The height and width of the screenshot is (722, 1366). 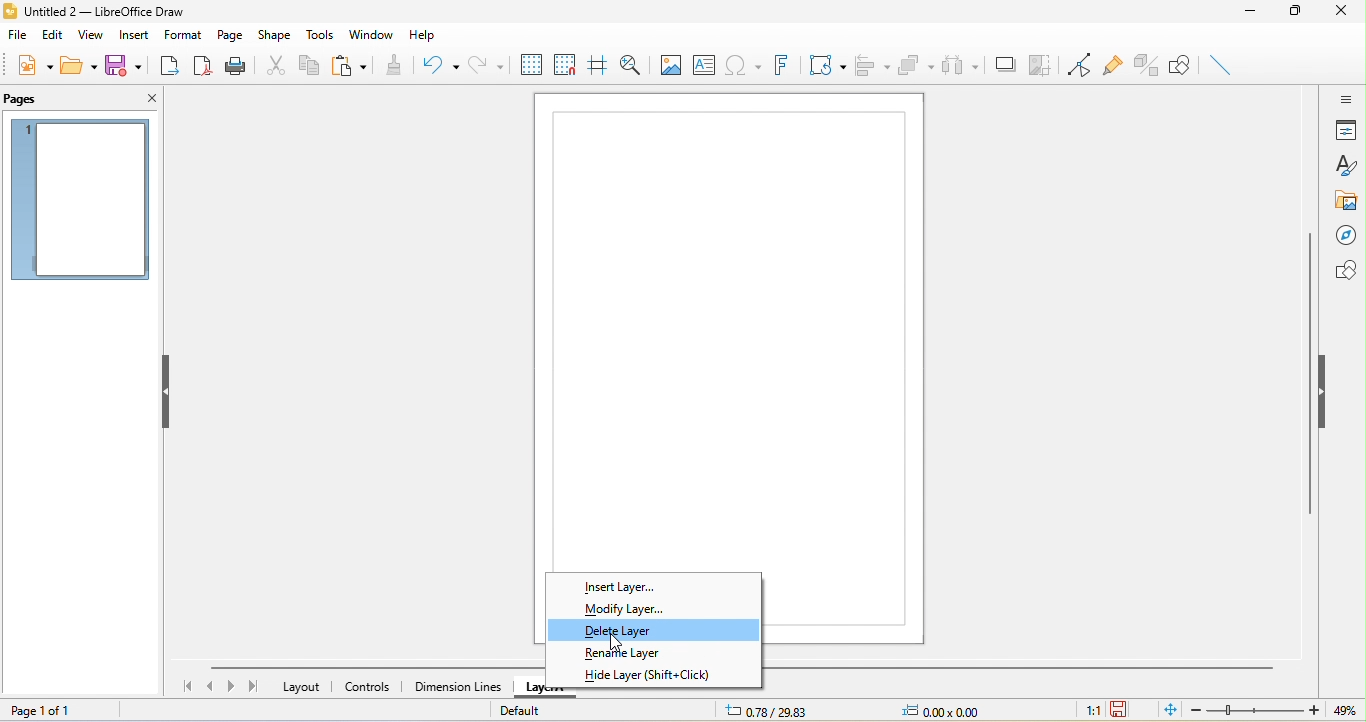 What do you see at coordinates (915, 65) in the screenshot?
I see `arrange` at bounding box center [915, 65].